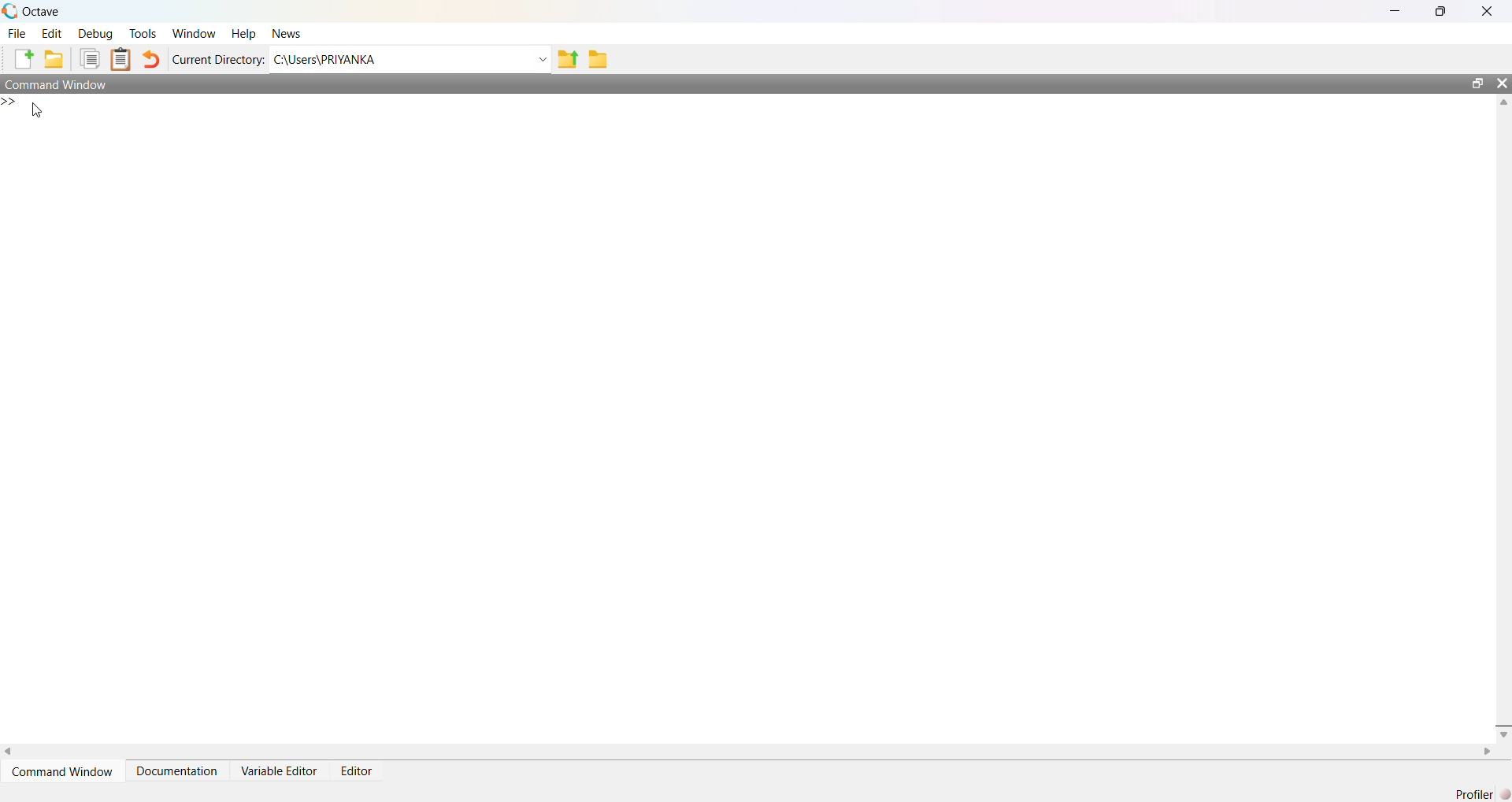  What do you see at coordinates (600, 59) in the screenshot?
I see `folder` at bounding box center [600, 59].